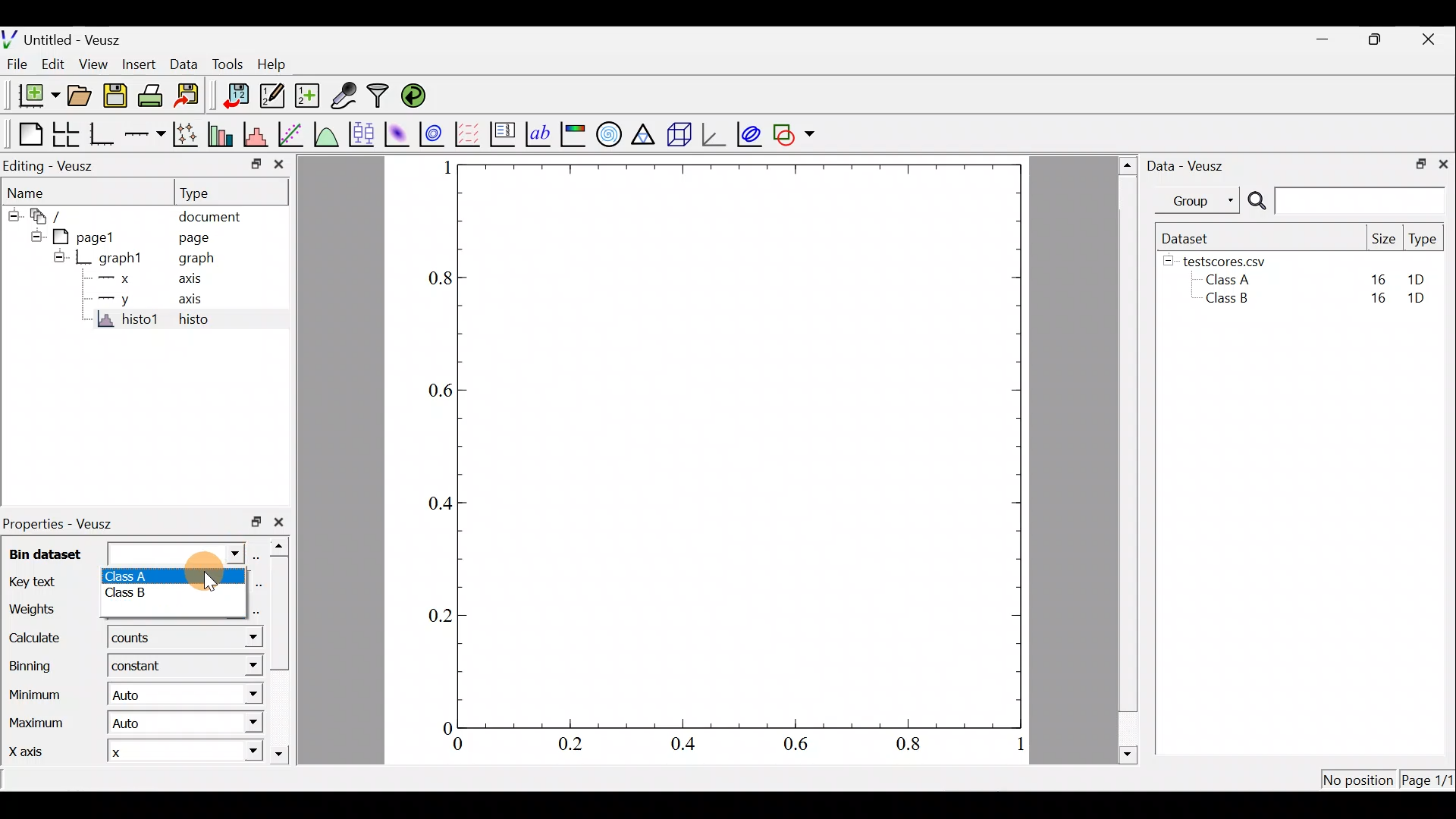 The image size is (1456, 819). Describe the element at coordinates (145, 575) in the screenshot. I see `Class A` at that location.